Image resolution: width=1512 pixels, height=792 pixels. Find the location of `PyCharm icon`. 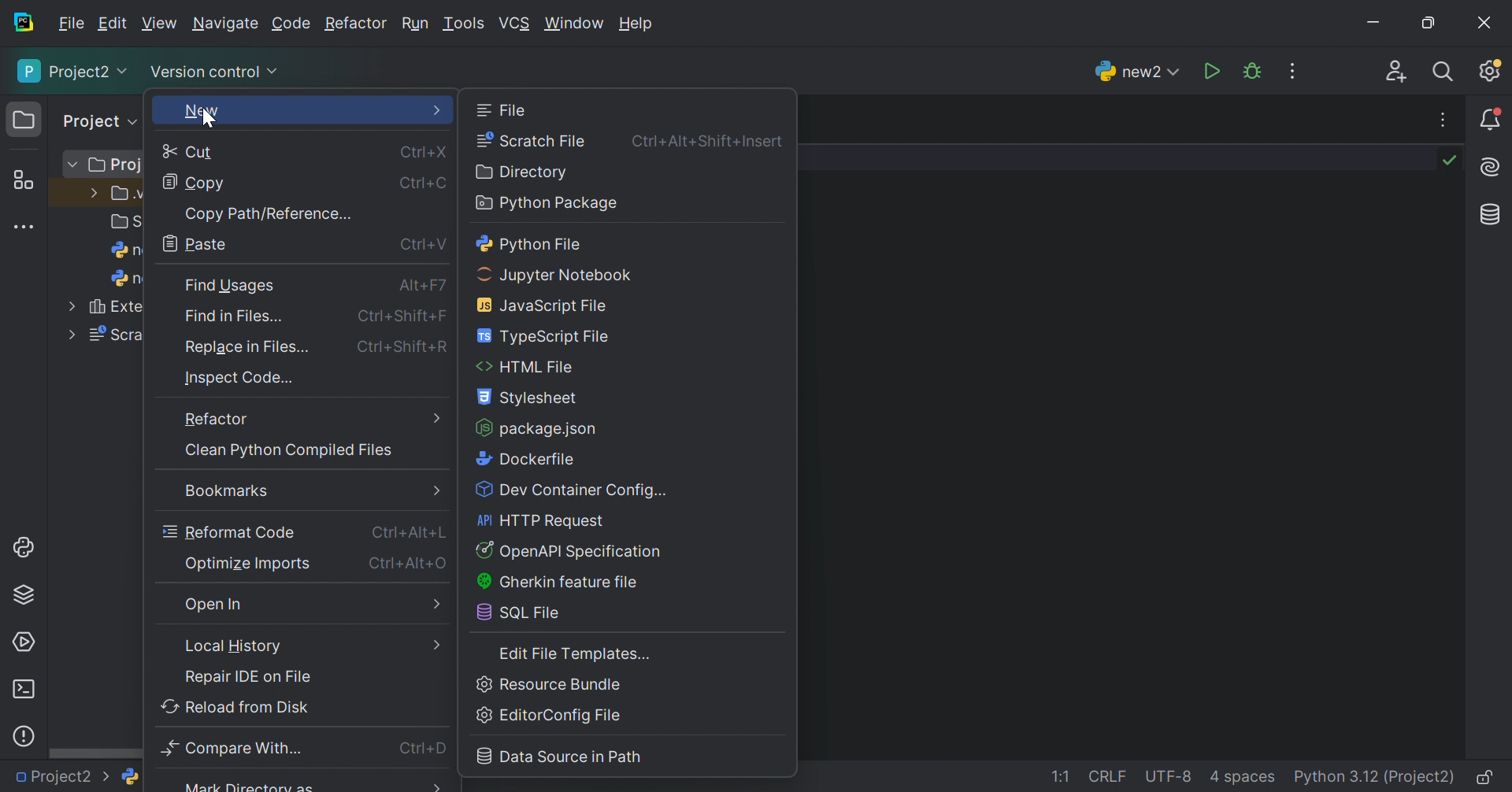

PyCharm icon is located at coordinates (20, 23).